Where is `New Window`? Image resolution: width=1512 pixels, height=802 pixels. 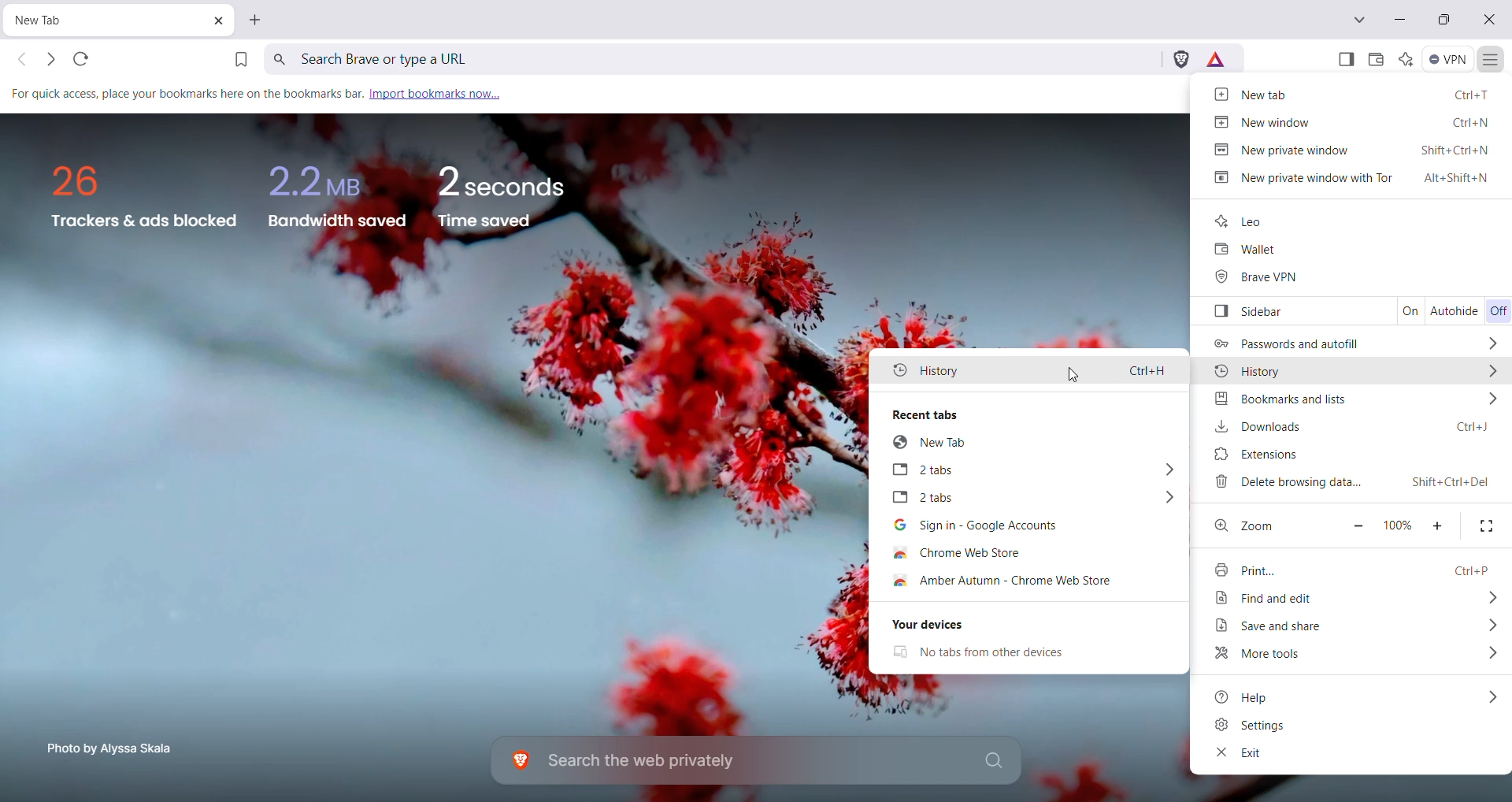 New Window is located at coordinates (1351, 121).